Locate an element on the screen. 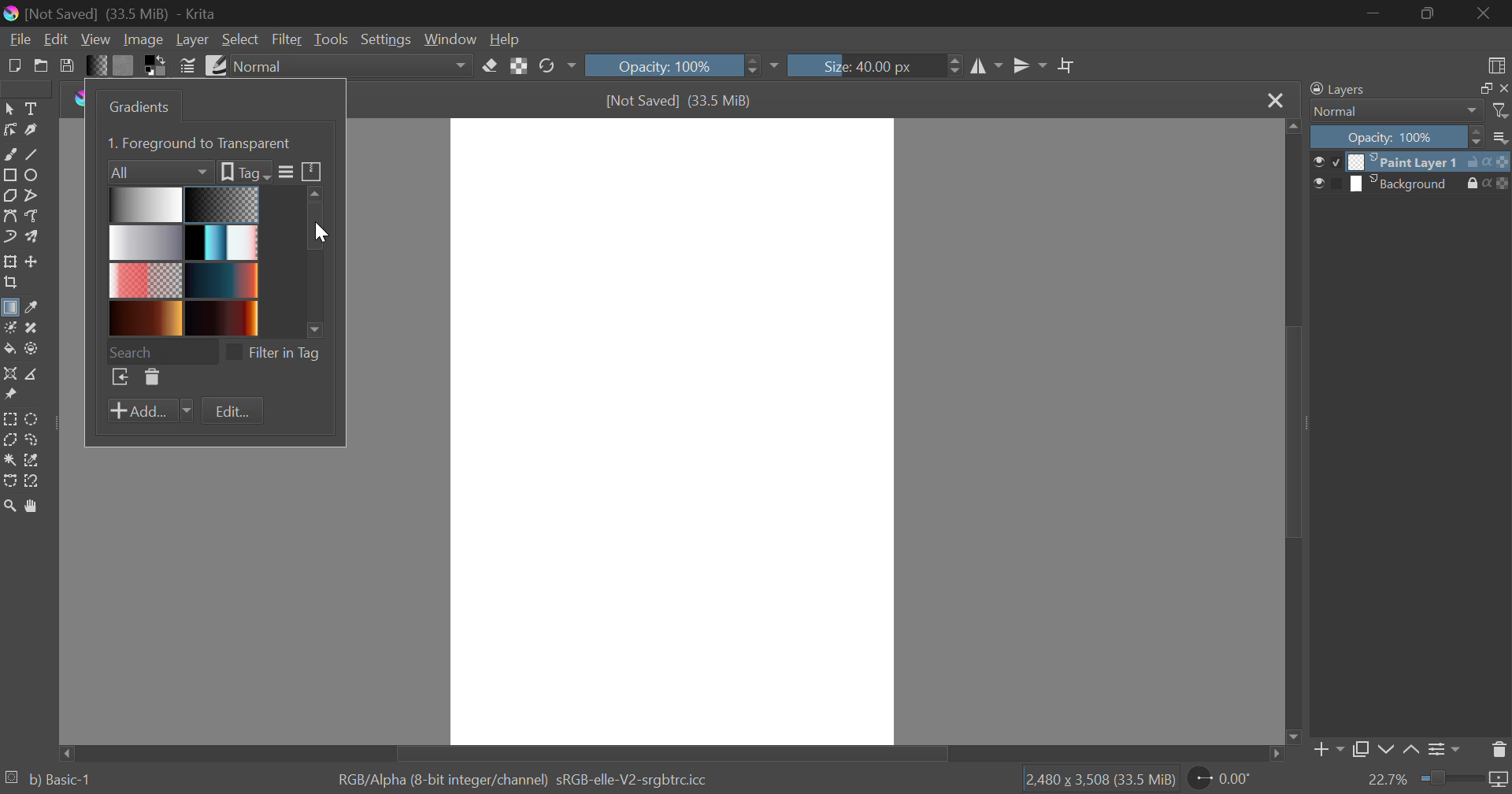 This screenshot has height=794, width=1512. 12,480 x 3,508 (33.5 MiB) is located at coordinates (1099, 779).